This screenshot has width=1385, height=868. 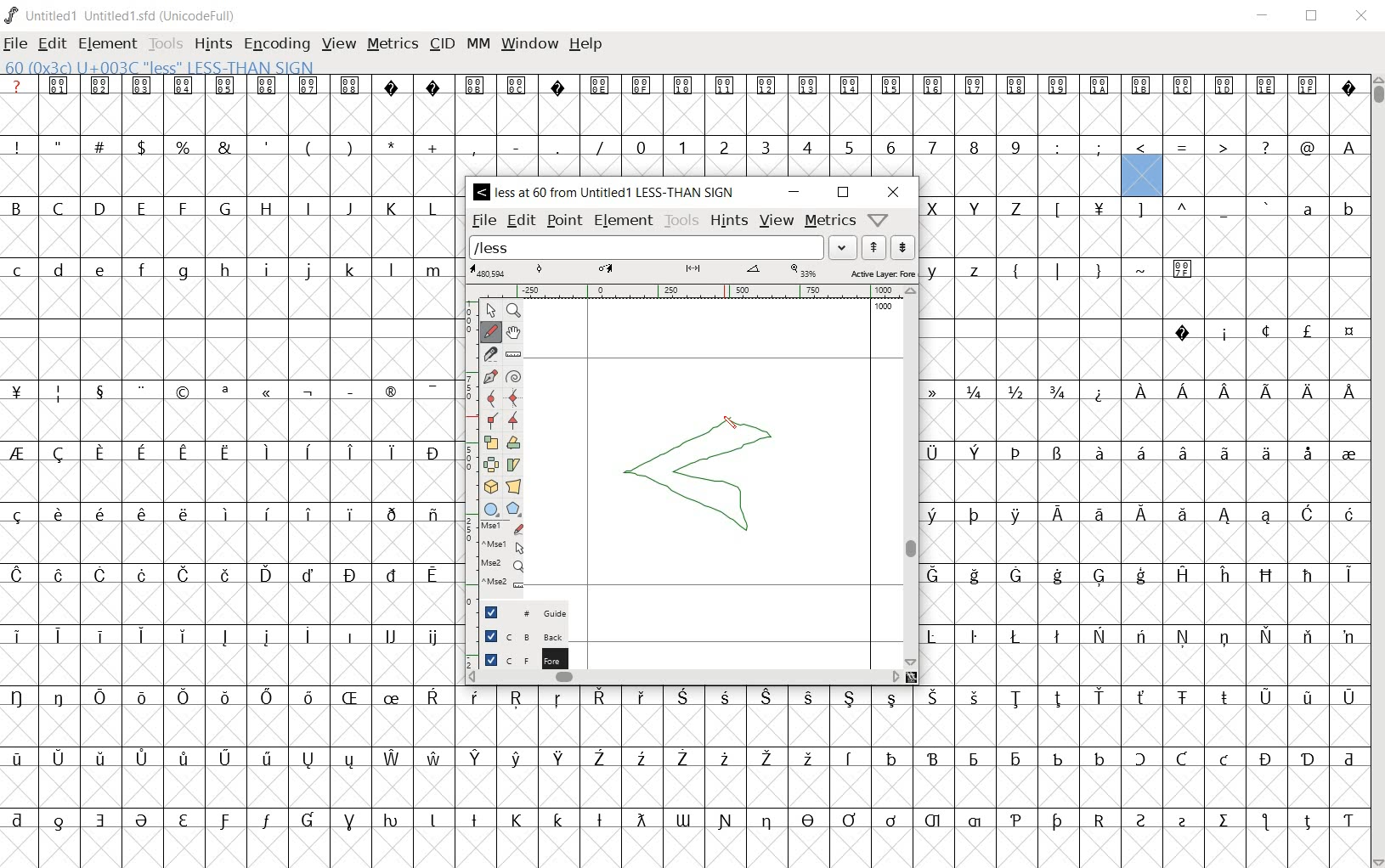 What do you see at coordinates (160, 65) in the screenshot?
I see `60 (0*3c) U+003c "less" LESS-THAN-SIGN` at bounding box center [160, 65].